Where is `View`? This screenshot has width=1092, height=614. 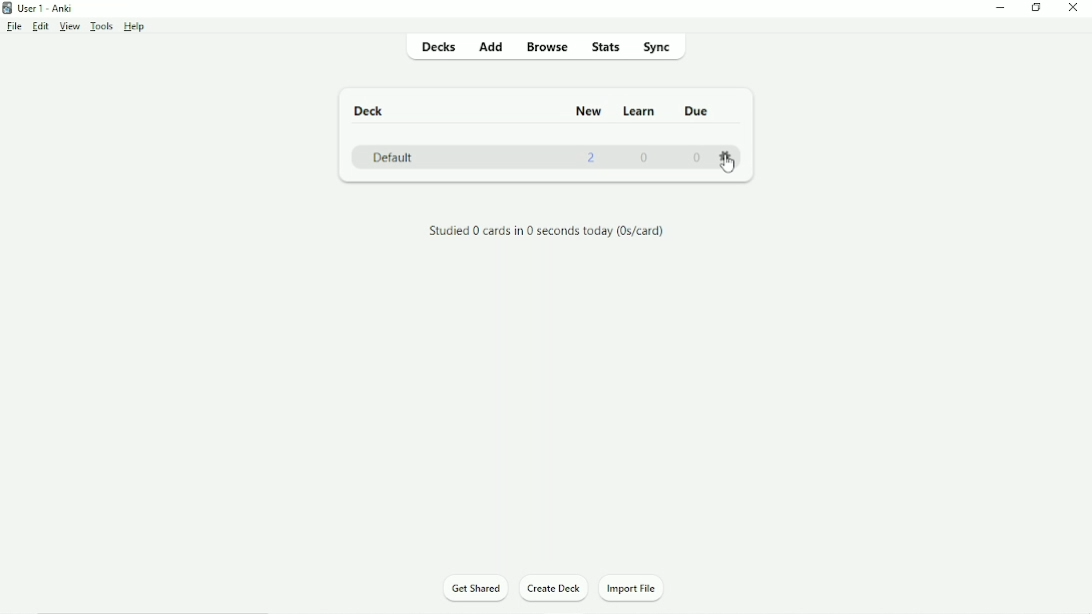 View is located at coordinates (69, 27).